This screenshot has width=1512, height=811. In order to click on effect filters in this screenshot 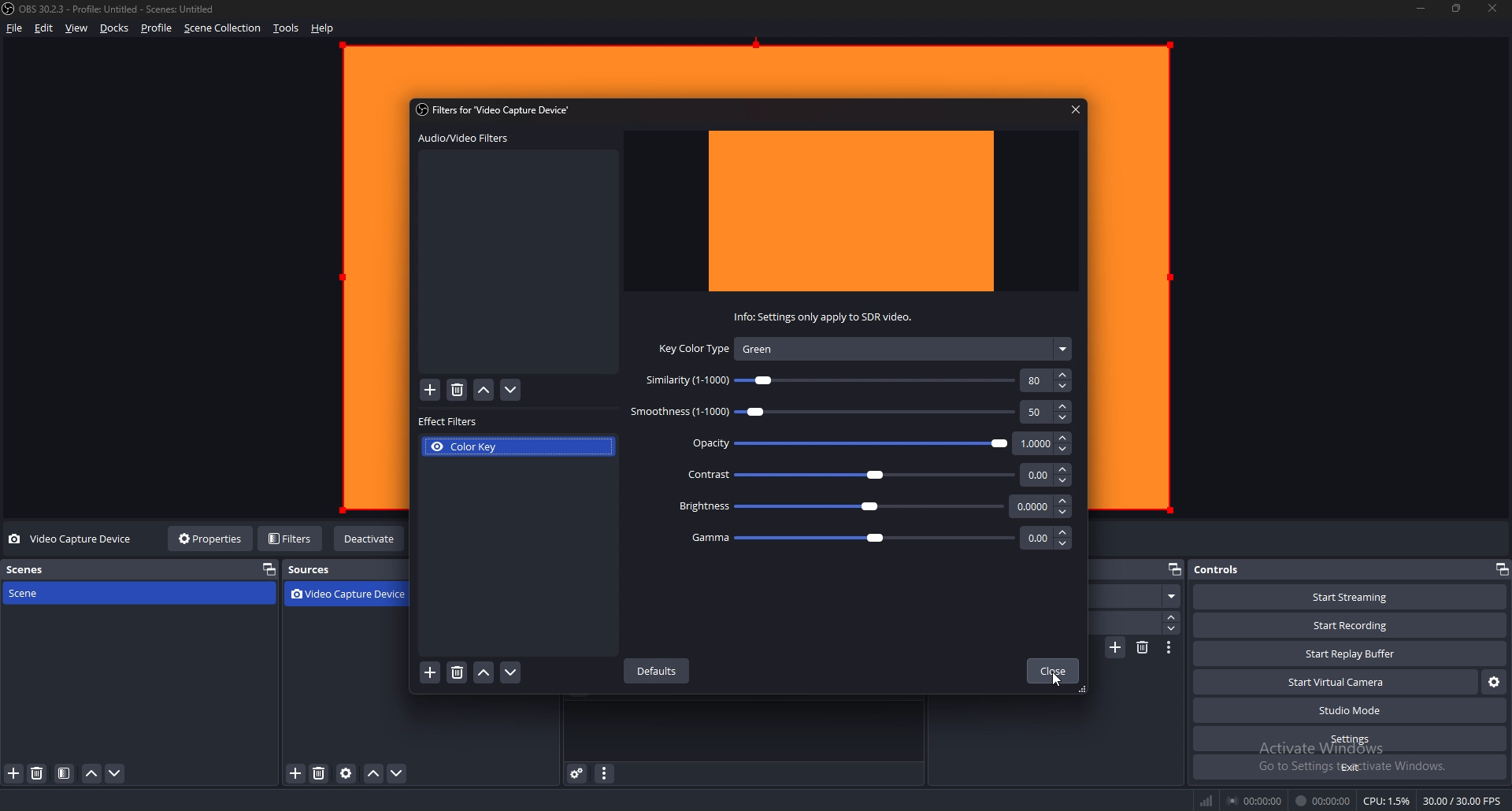, I will do `click(450, 422)`.